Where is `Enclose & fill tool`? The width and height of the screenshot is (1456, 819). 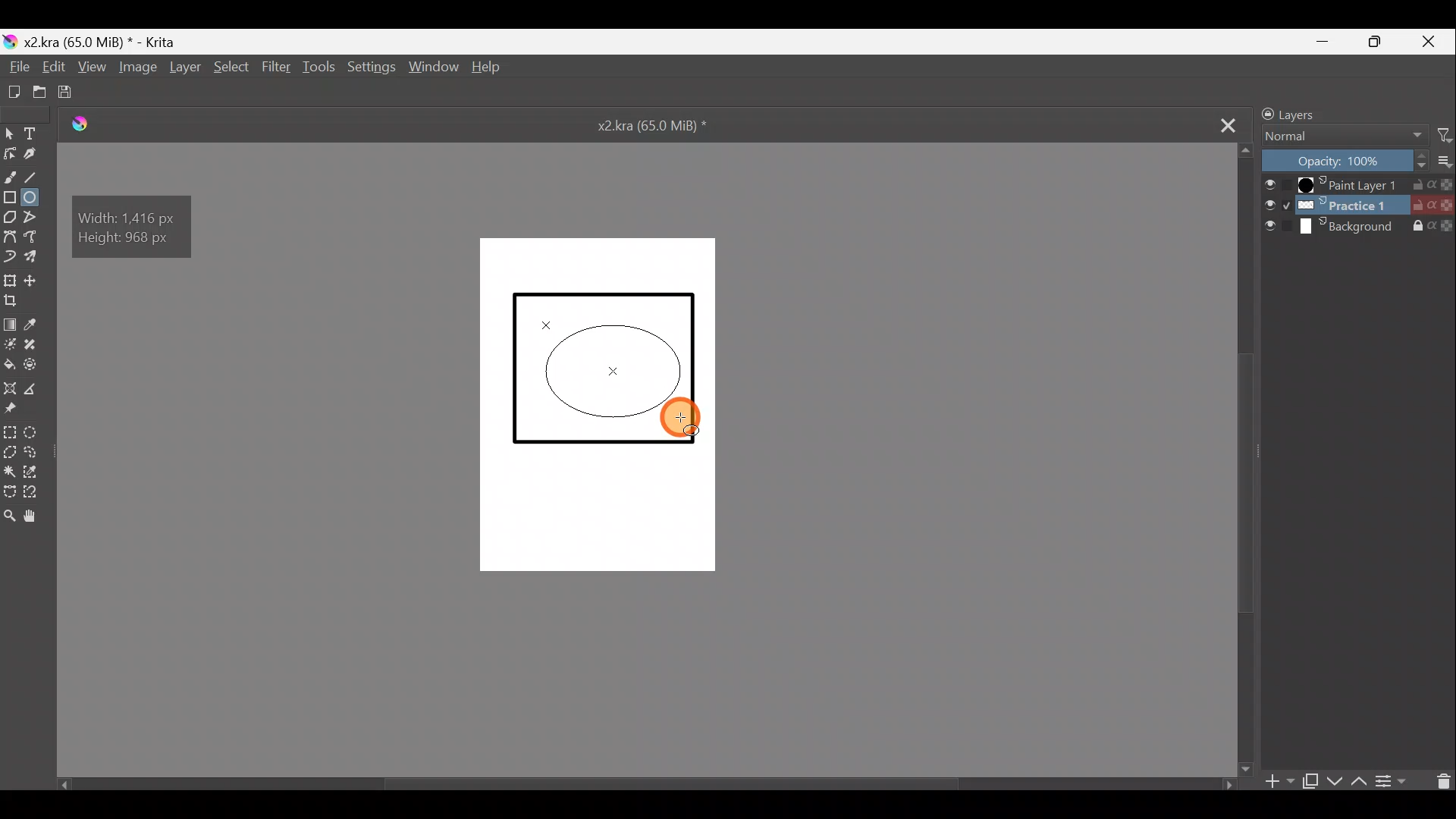 Enclose & fill tool is located at coordinates (34, 365).